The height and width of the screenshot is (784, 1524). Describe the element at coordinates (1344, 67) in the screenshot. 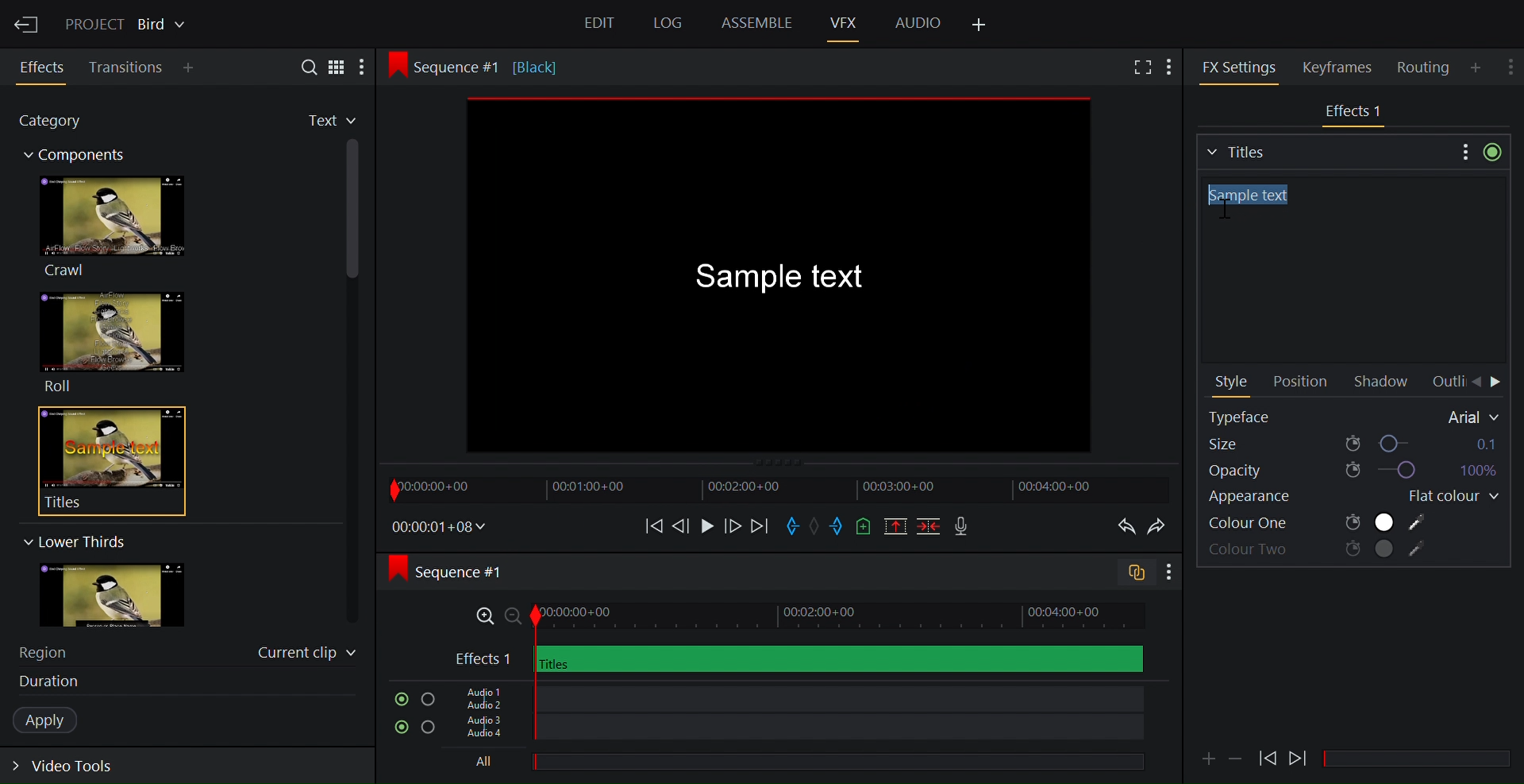

I see `Keyframes` at that location.